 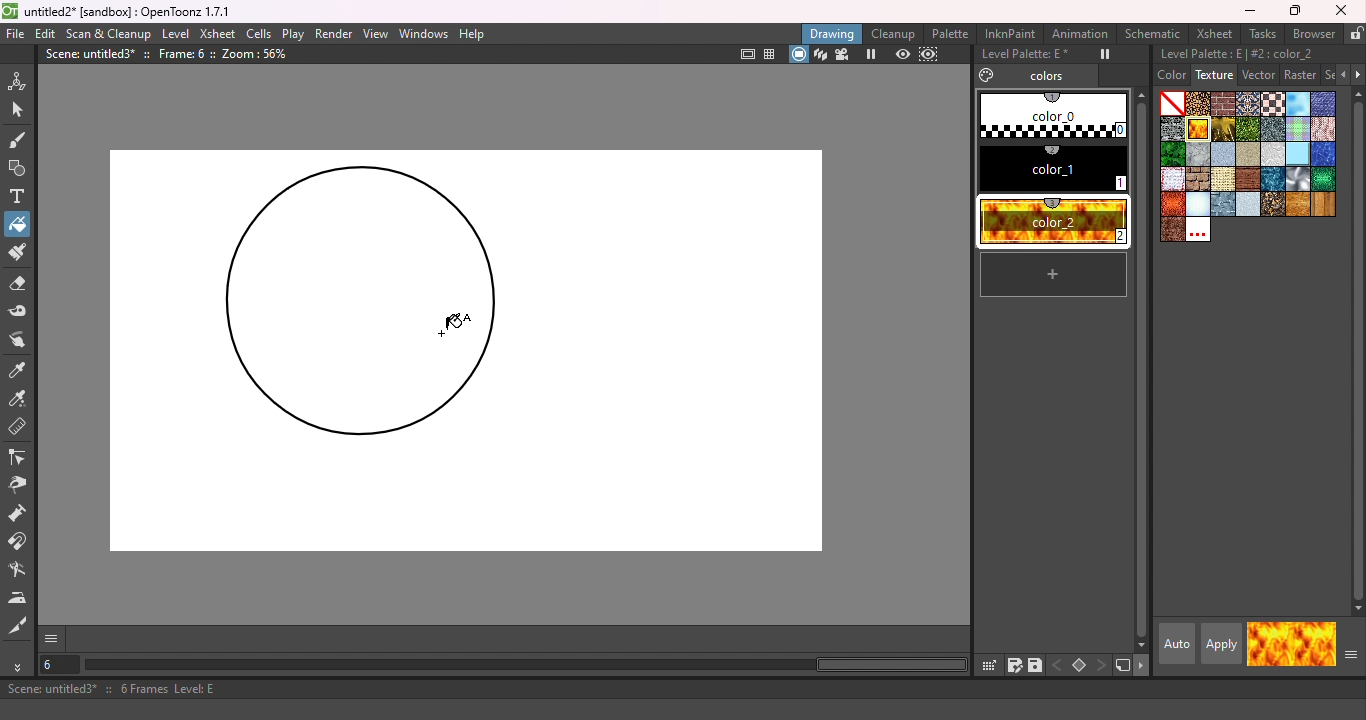 I want to click on new style, so click(x=1122, y=666).